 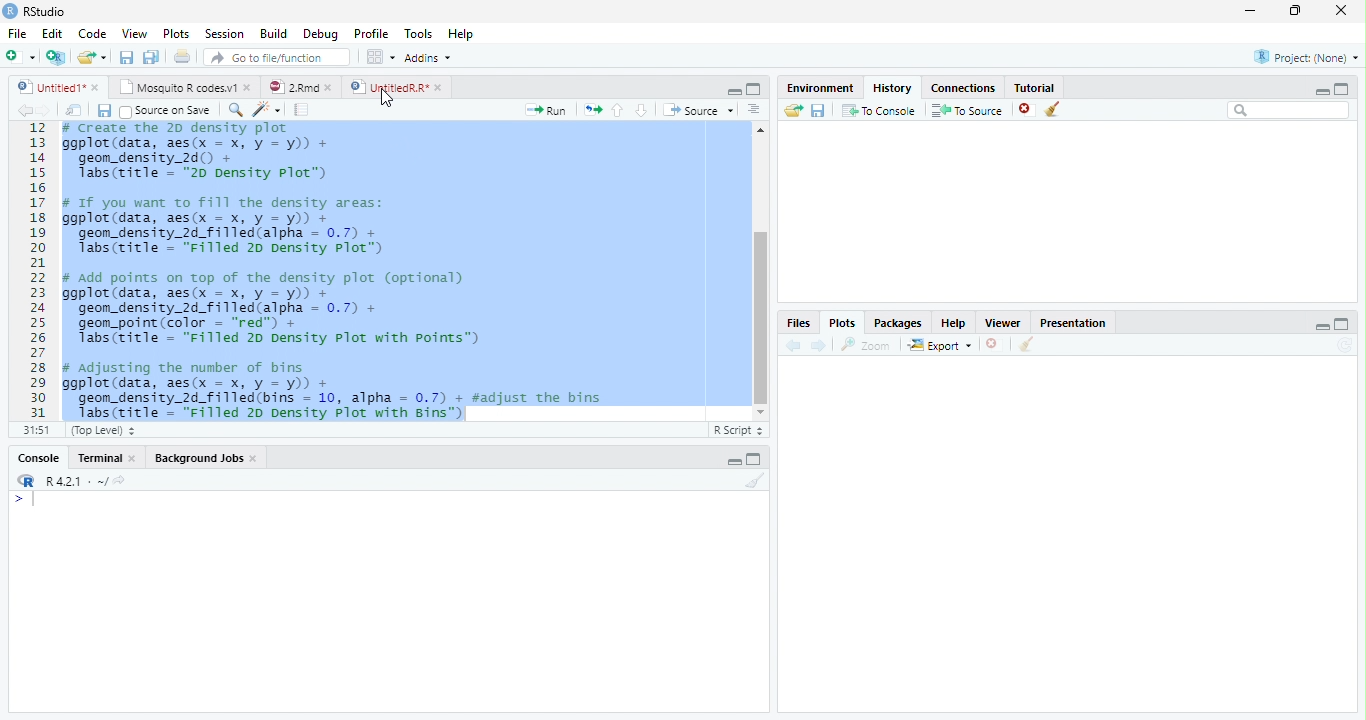 What do you see at coordinates (993, 344) in the screenshot?
I see `close` at bounding box center [993, 344].